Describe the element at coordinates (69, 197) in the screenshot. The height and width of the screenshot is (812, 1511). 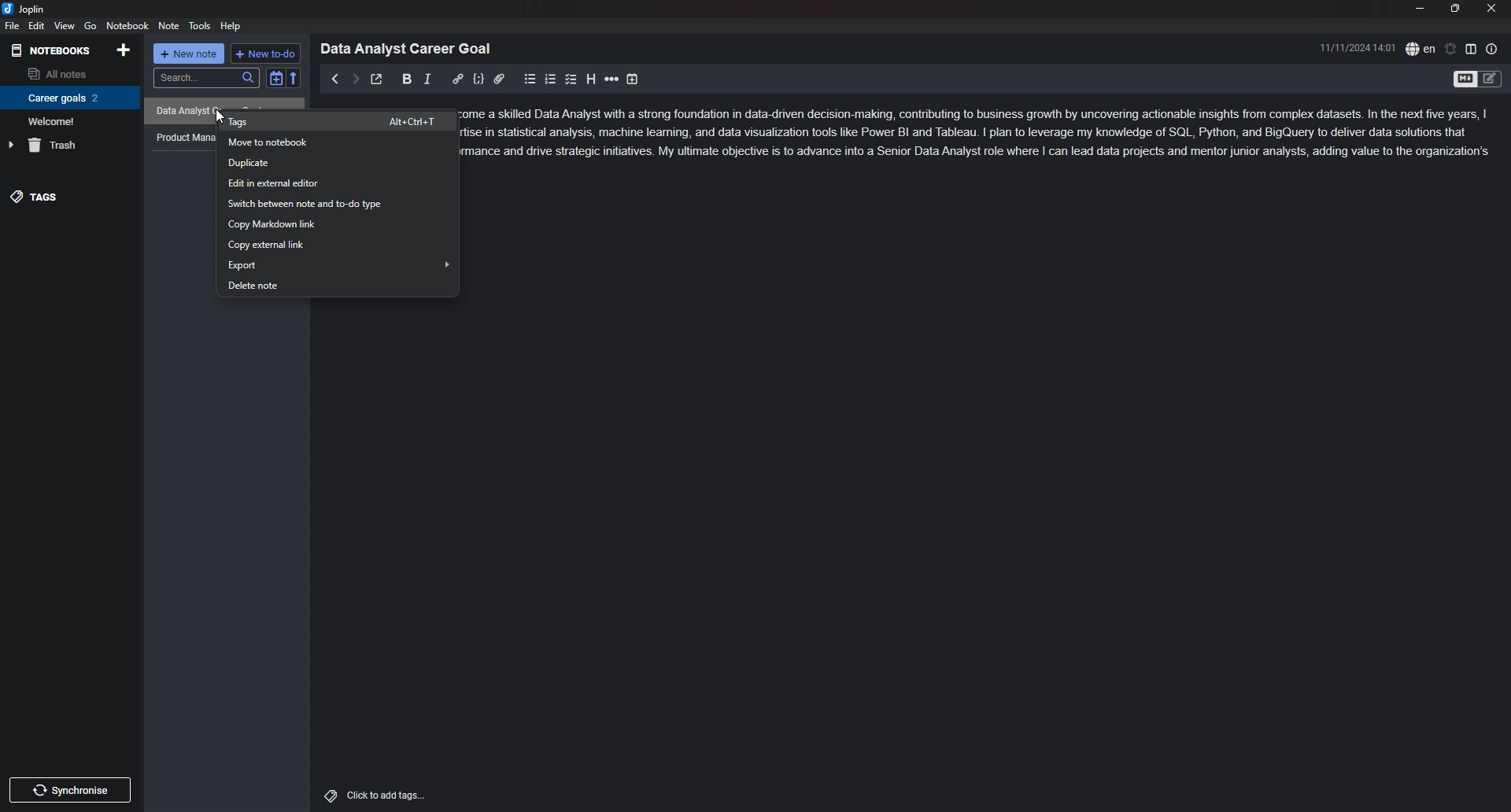
I see `tags` at that location.